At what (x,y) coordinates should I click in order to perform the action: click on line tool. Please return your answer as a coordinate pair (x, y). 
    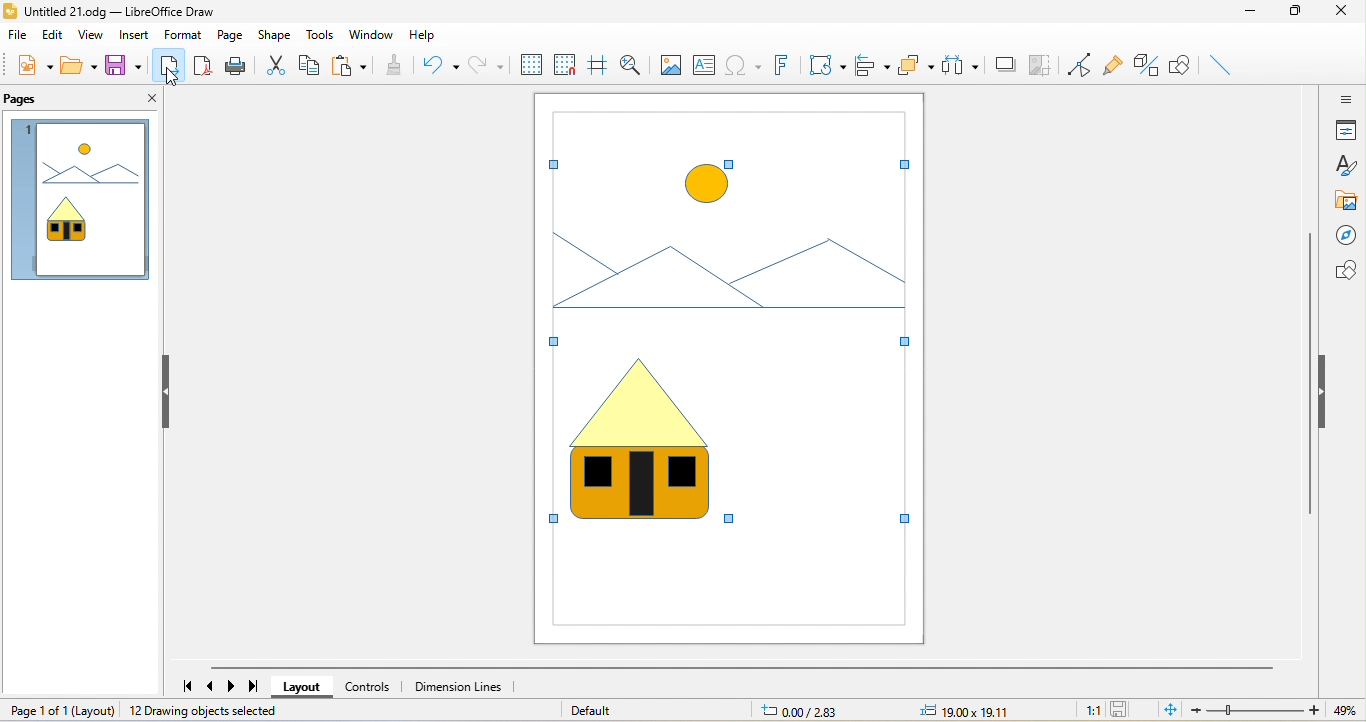
    Looking at the image, I should click on (1224, 67).